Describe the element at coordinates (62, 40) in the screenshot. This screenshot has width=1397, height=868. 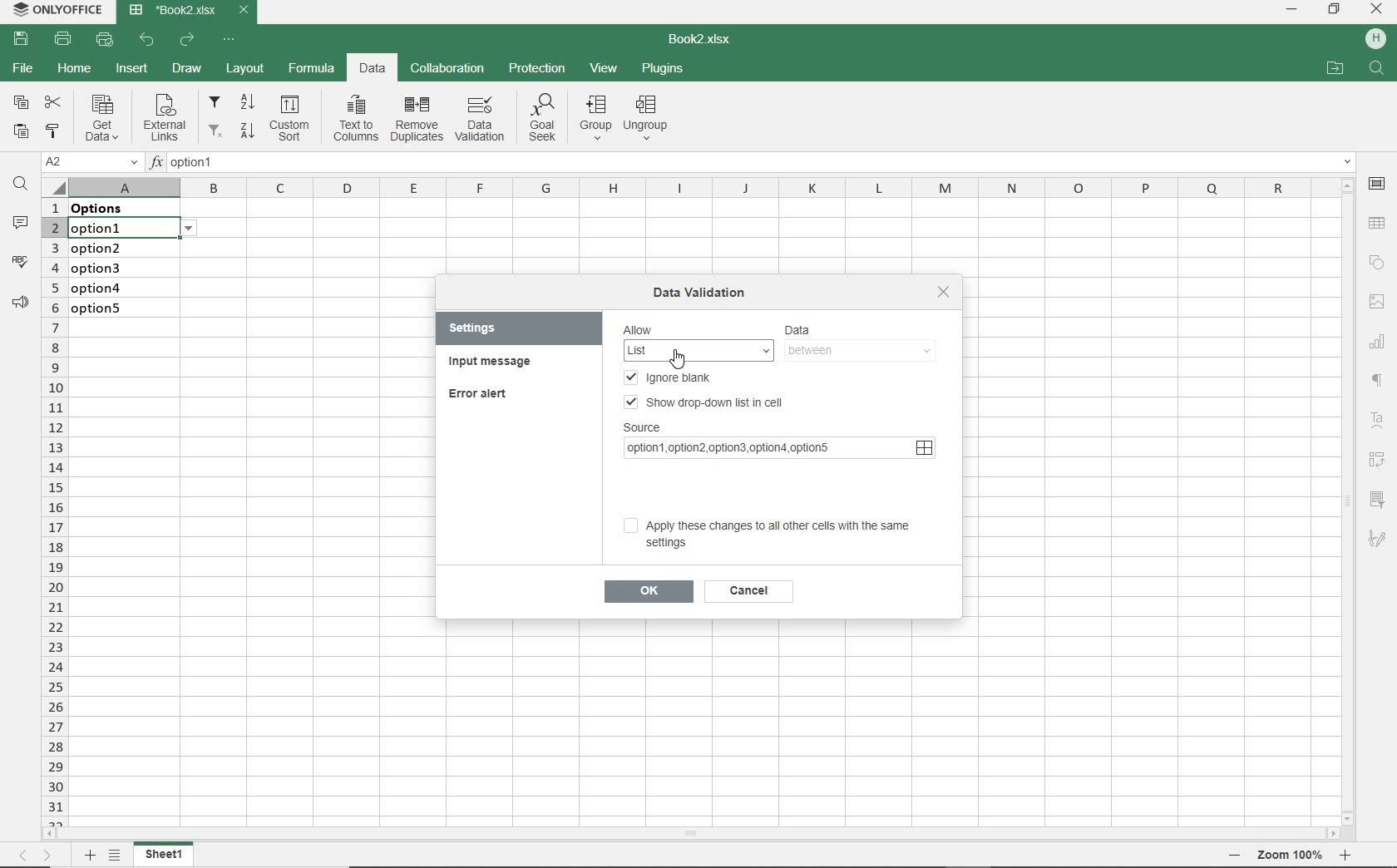
I see `PRINT` at that location.